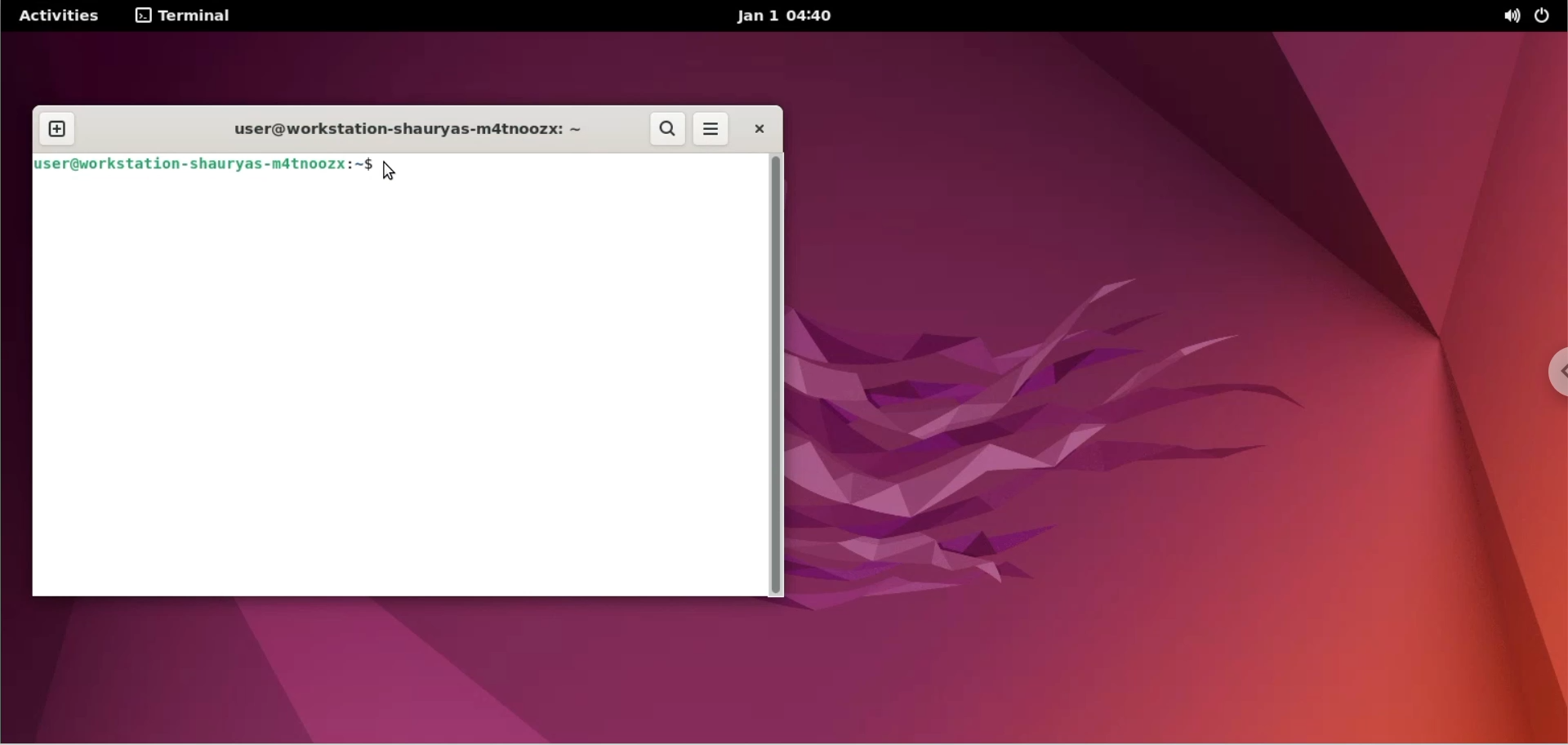 Image resolution: width=1568 pixels, height=745 pixels. What do you see at coordinates (714, 129) in the screenshot?
I see `more options` at bounding box center [714, 129].